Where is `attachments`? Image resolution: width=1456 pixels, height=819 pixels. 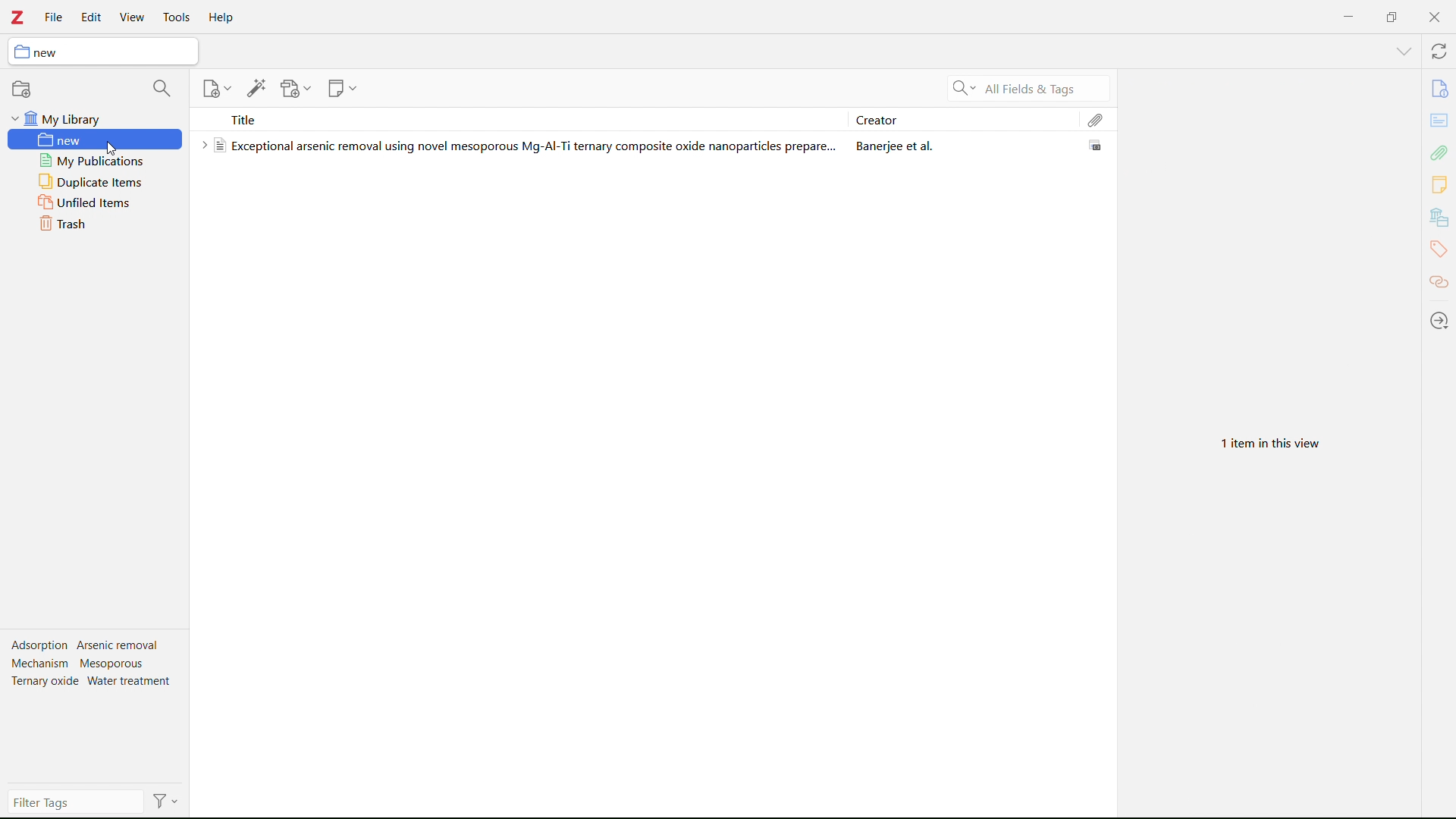 attachments is located at coordinates (1439, 153).